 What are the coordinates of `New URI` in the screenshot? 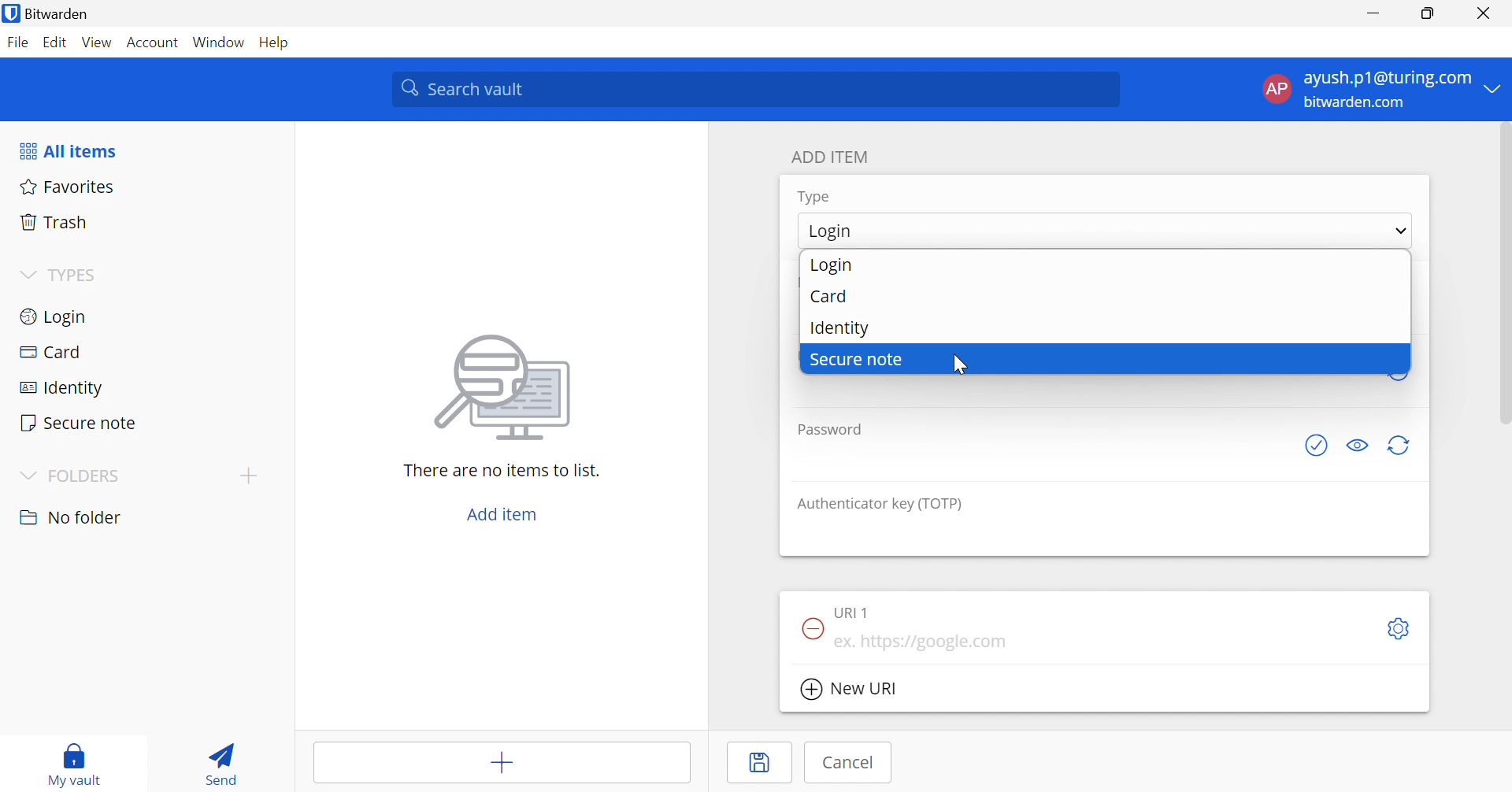 It's located at (850, 689).